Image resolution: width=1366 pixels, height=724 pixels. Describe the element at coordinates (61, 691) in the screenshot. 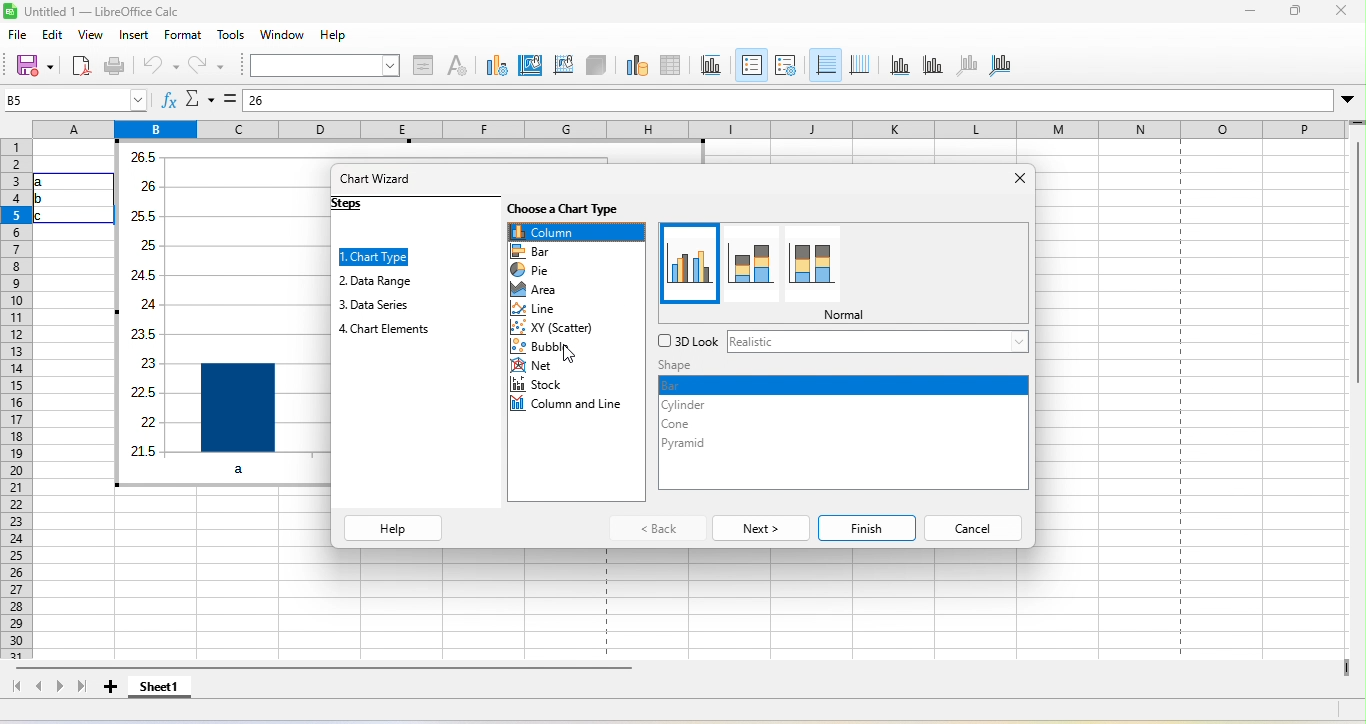

I see `next sheet` at that location.